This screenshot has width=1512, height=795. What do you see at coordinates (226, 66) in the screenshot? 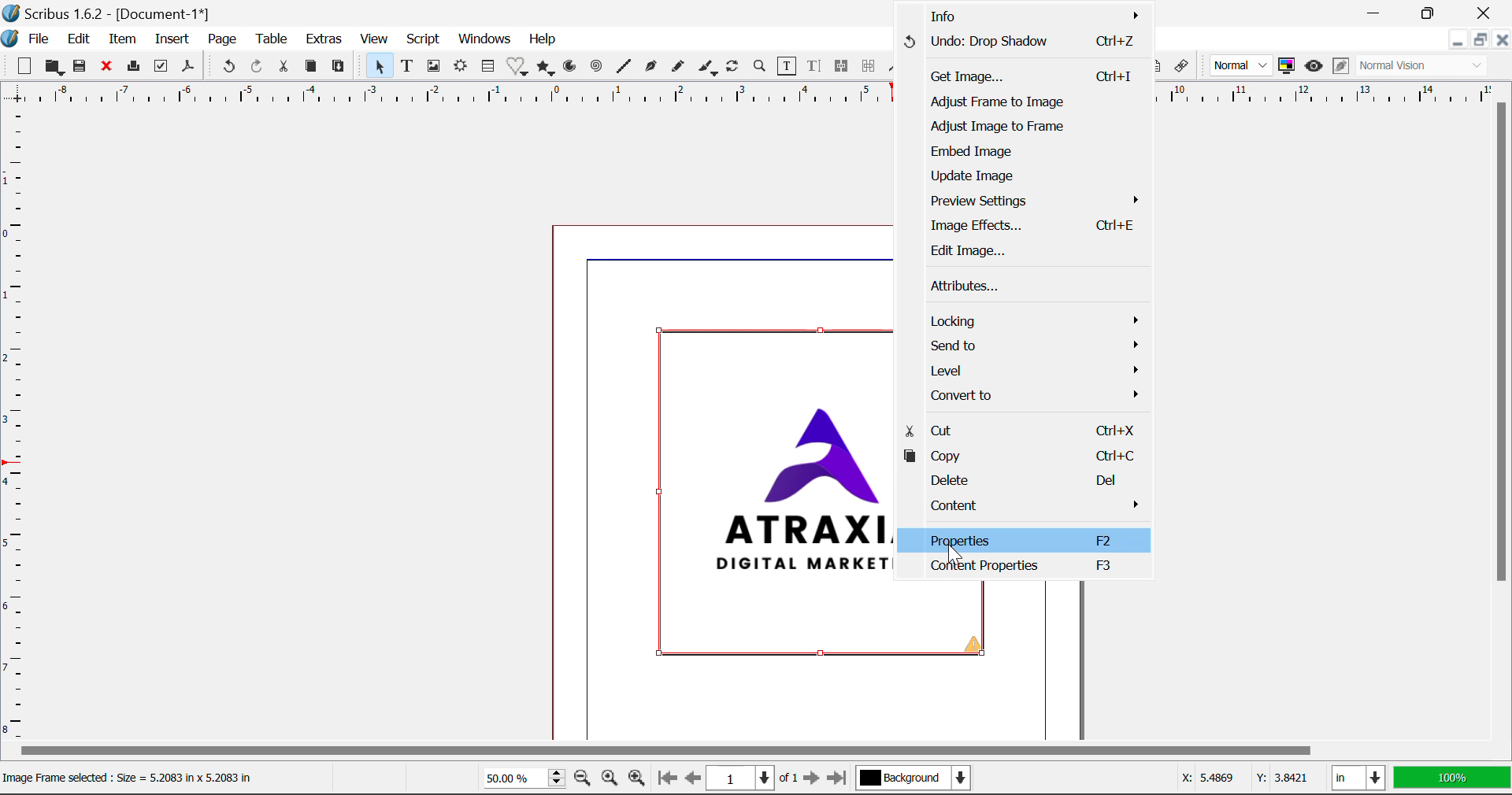
I see `Undo` at bounding box center [226, 66].